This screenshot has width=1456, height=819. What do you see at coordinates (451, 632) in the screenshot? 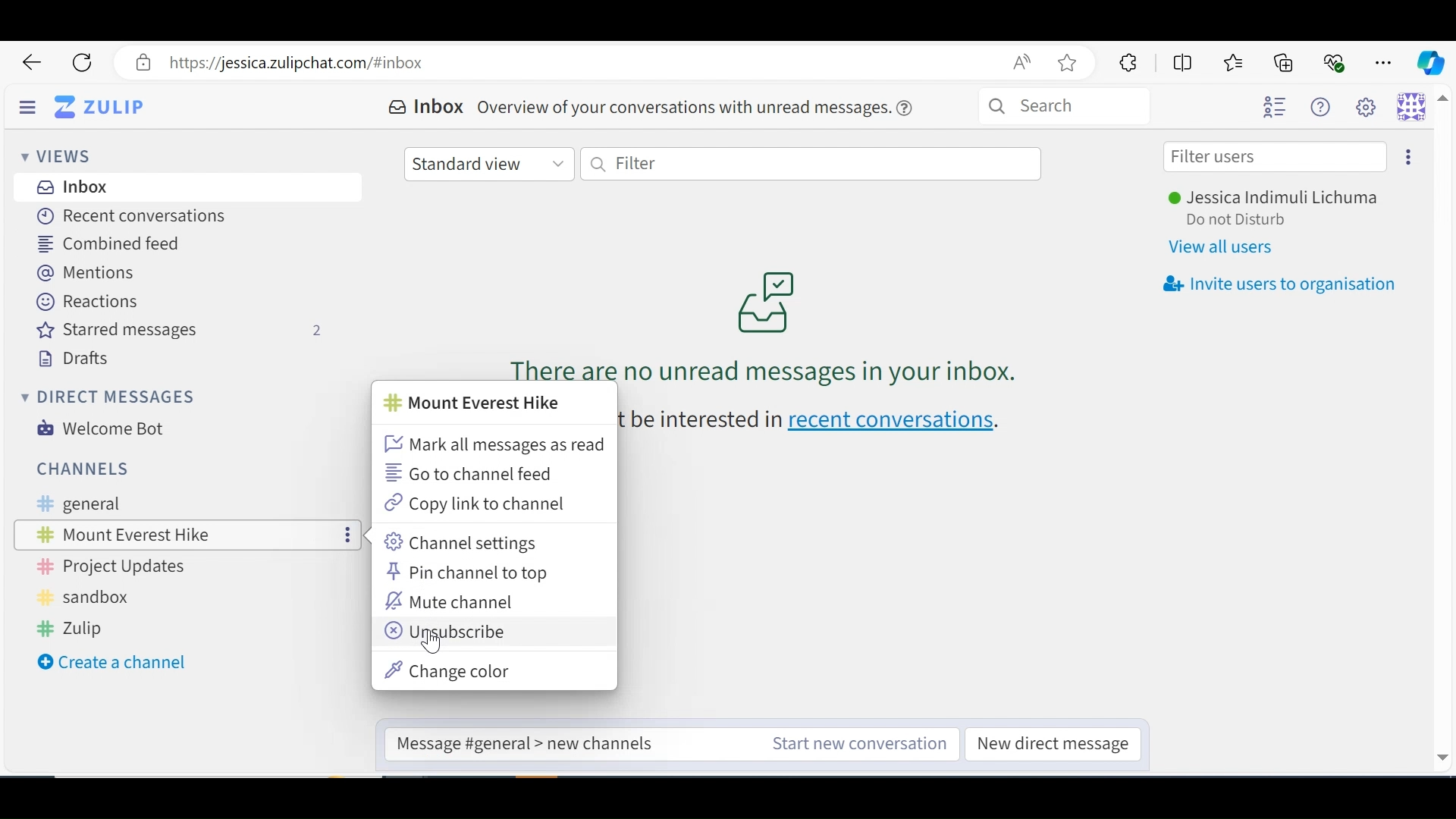
I see `Unsubscribe` at bounding box center [451, 632].